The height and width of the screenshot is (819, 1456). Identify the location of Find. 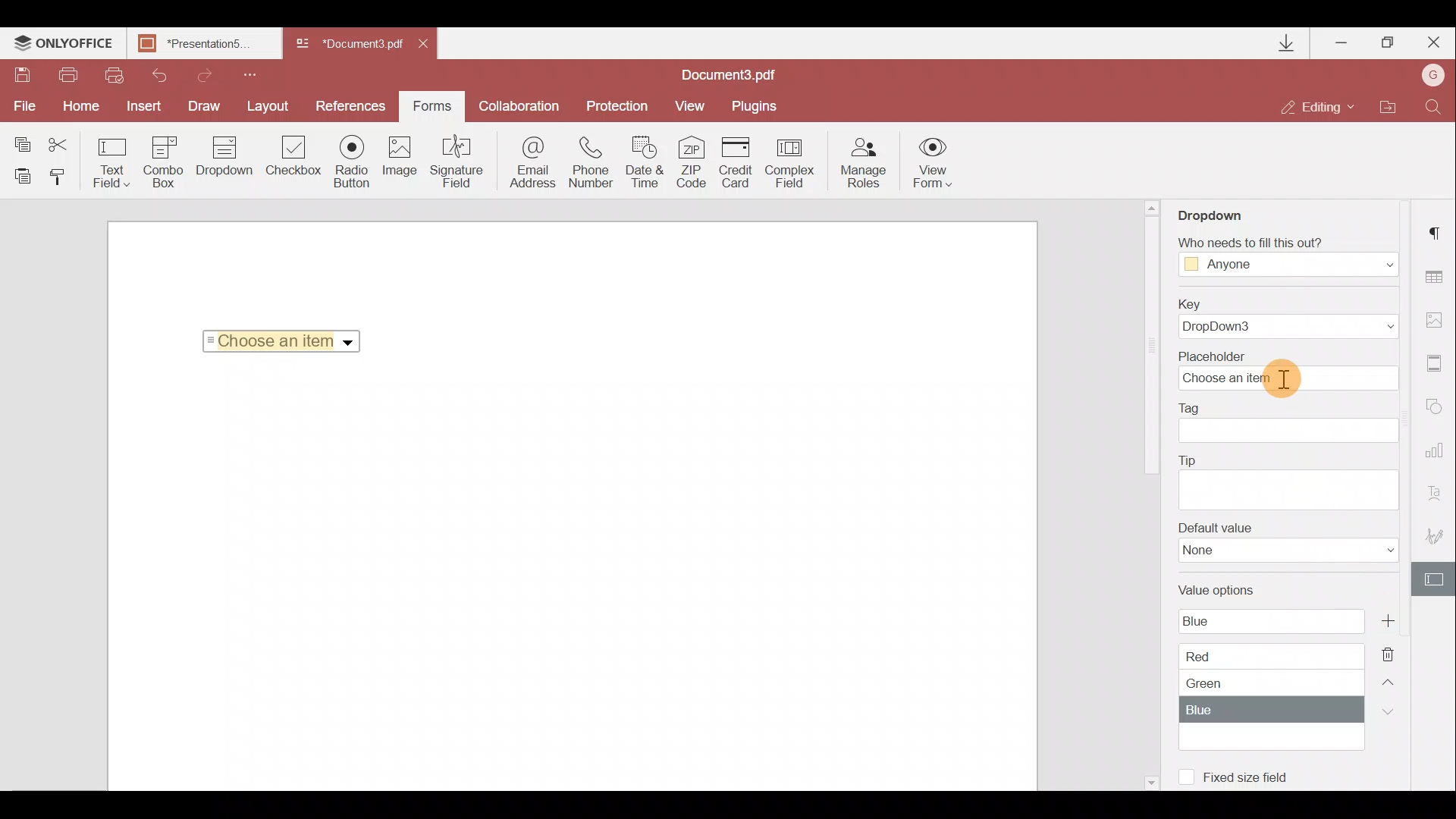
(1436, 106).